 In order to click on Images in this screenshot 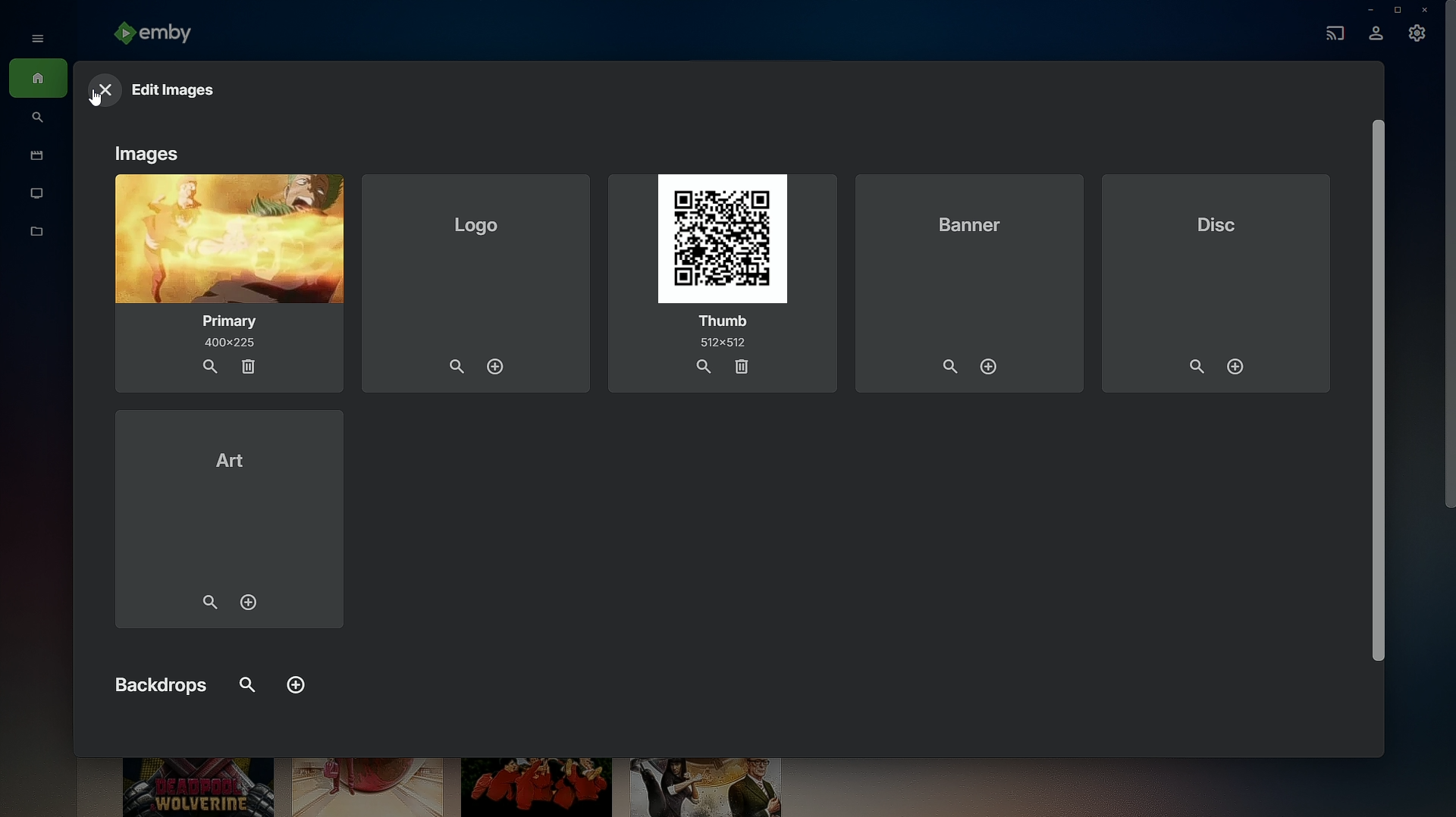, I will do `click(149, 155)`.